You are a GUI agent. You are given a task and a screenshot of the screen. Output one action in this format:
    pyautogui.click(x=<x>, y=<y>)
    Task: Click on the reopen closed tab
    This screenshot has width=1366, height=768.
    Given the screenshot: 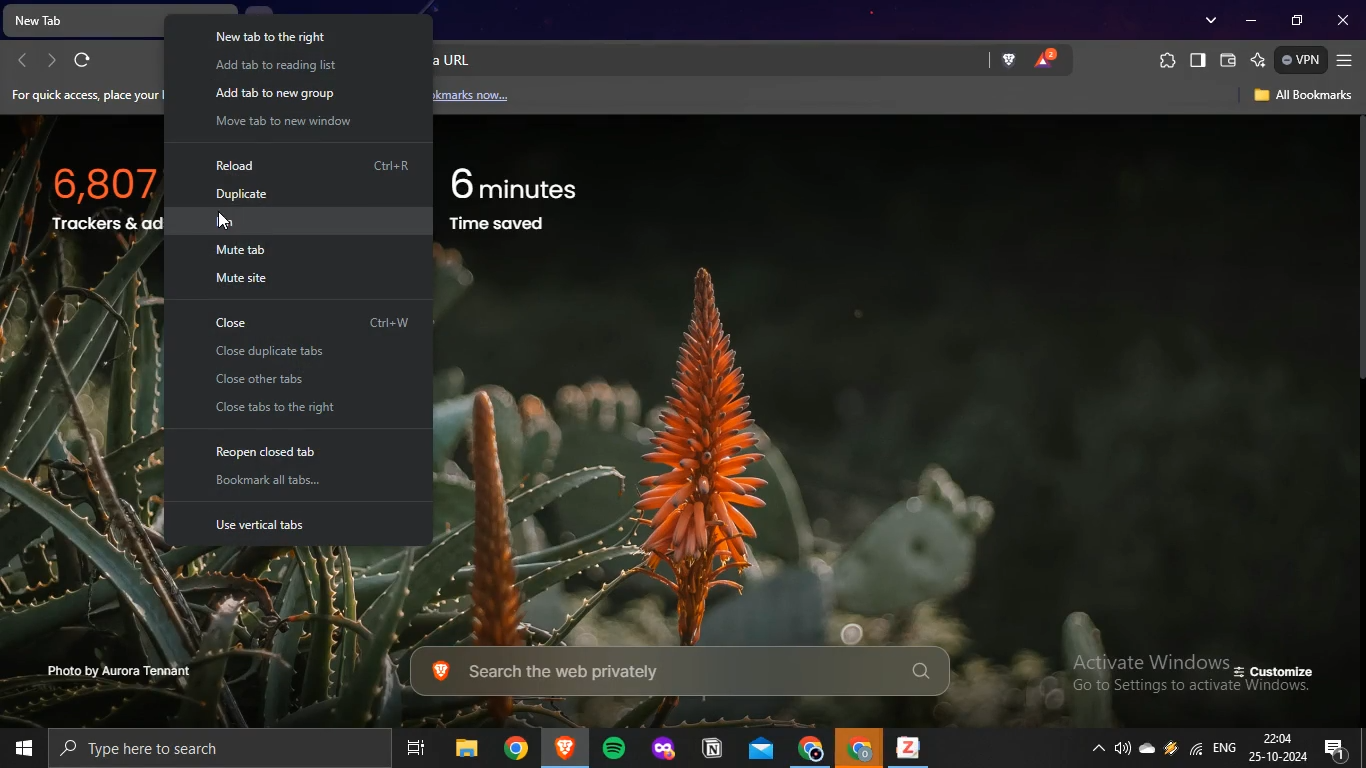 What is the action you would take?
    pyautogui.click(x=272, y=449)
    